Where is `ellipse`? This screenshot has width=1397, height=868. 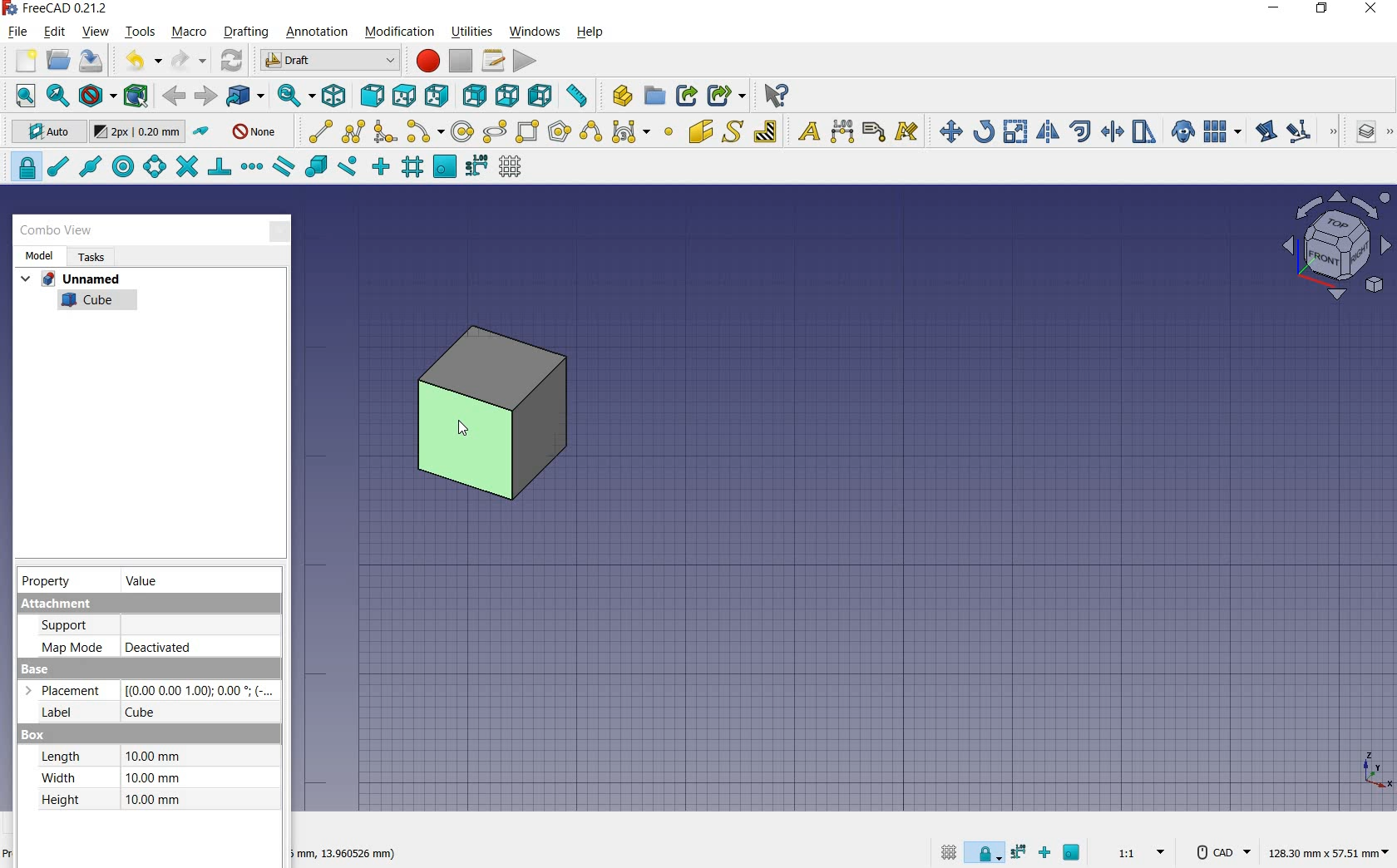 ellipse is located at coordinates (496, 132).